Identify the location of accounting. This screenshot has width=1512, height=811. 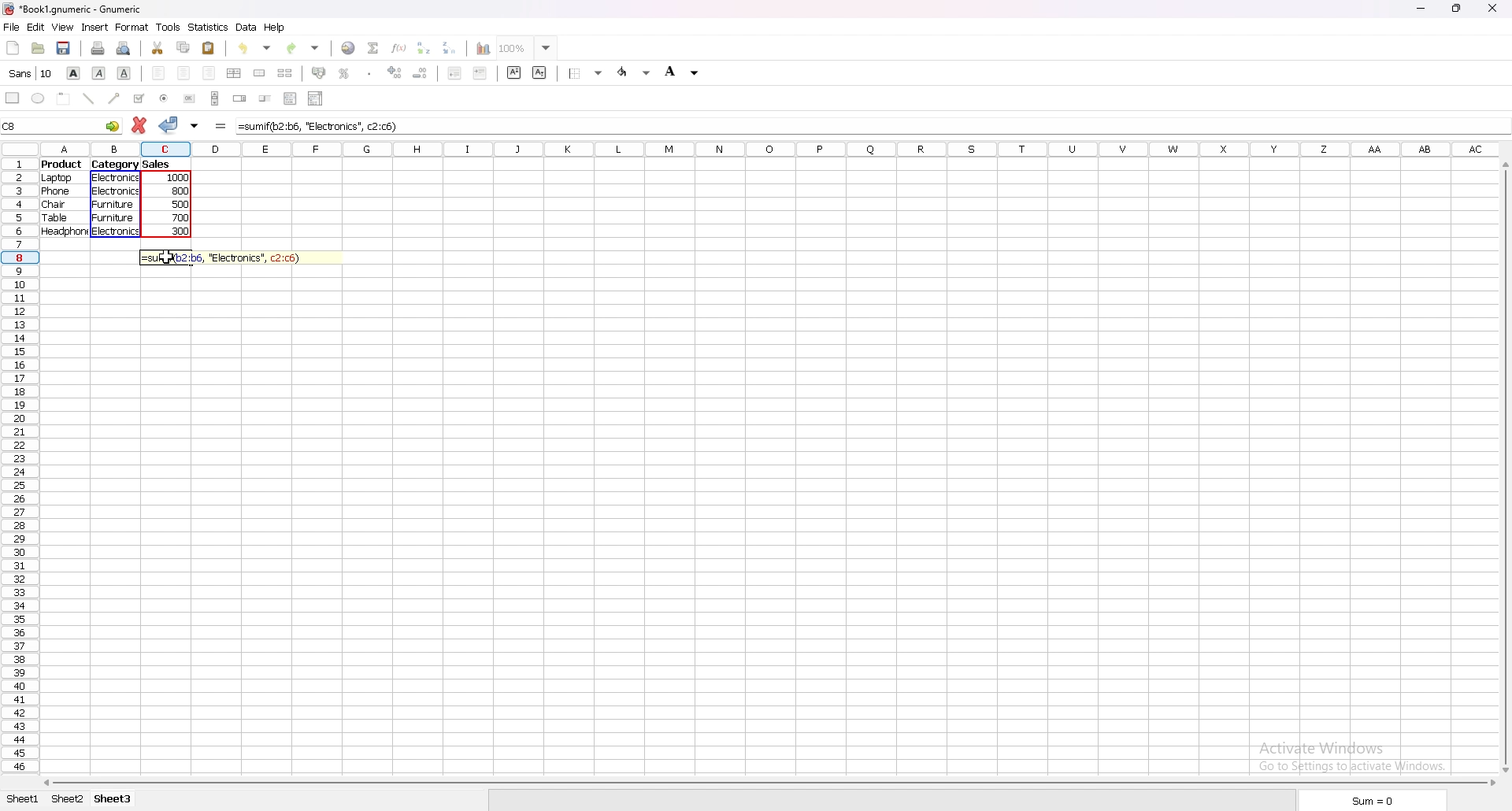
(320, 72).